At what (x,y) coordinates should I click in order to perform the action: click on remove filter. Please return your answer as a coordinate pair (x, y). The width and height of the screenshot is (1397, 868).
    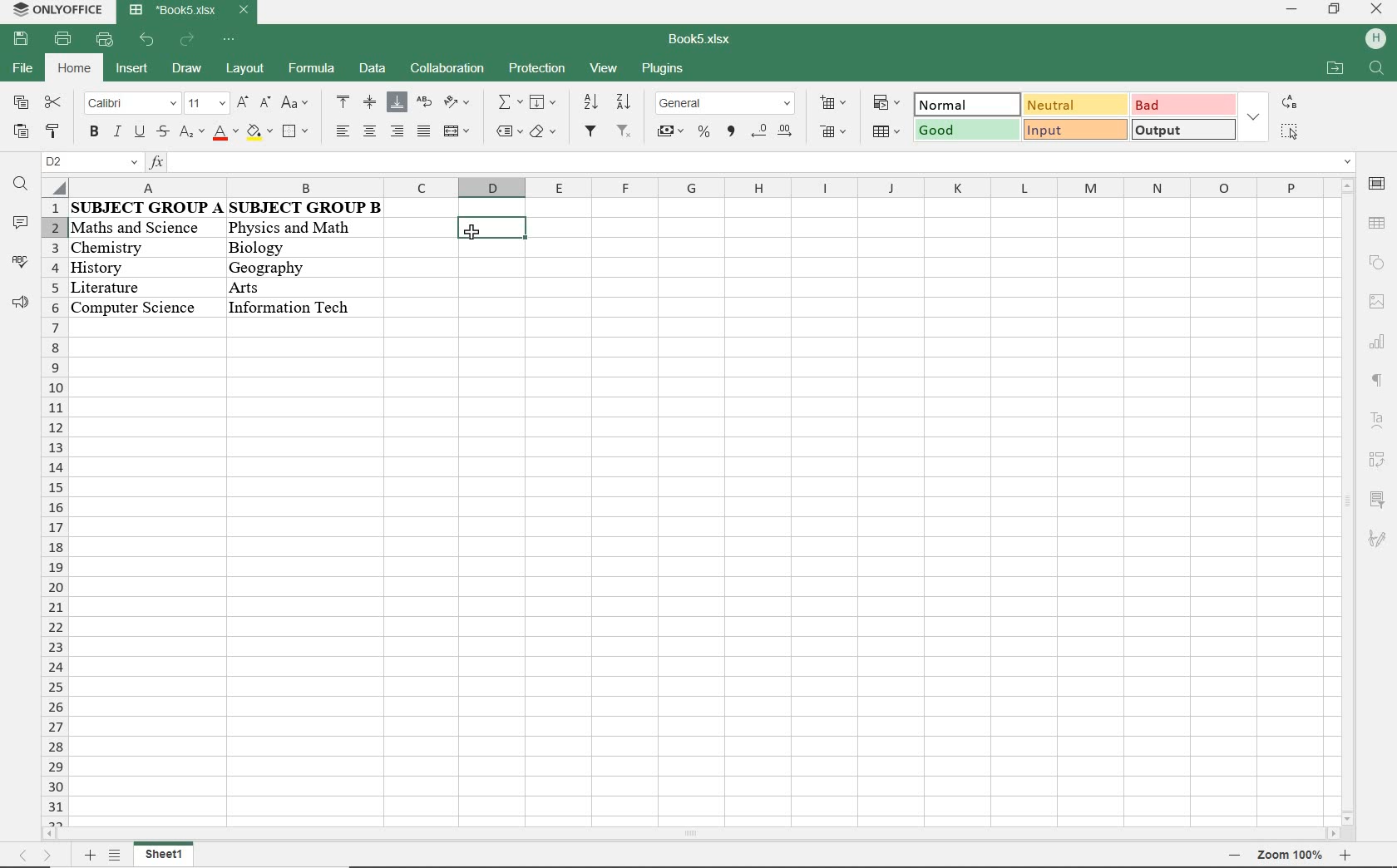
    Looking at the image, I should click on (624, 132).